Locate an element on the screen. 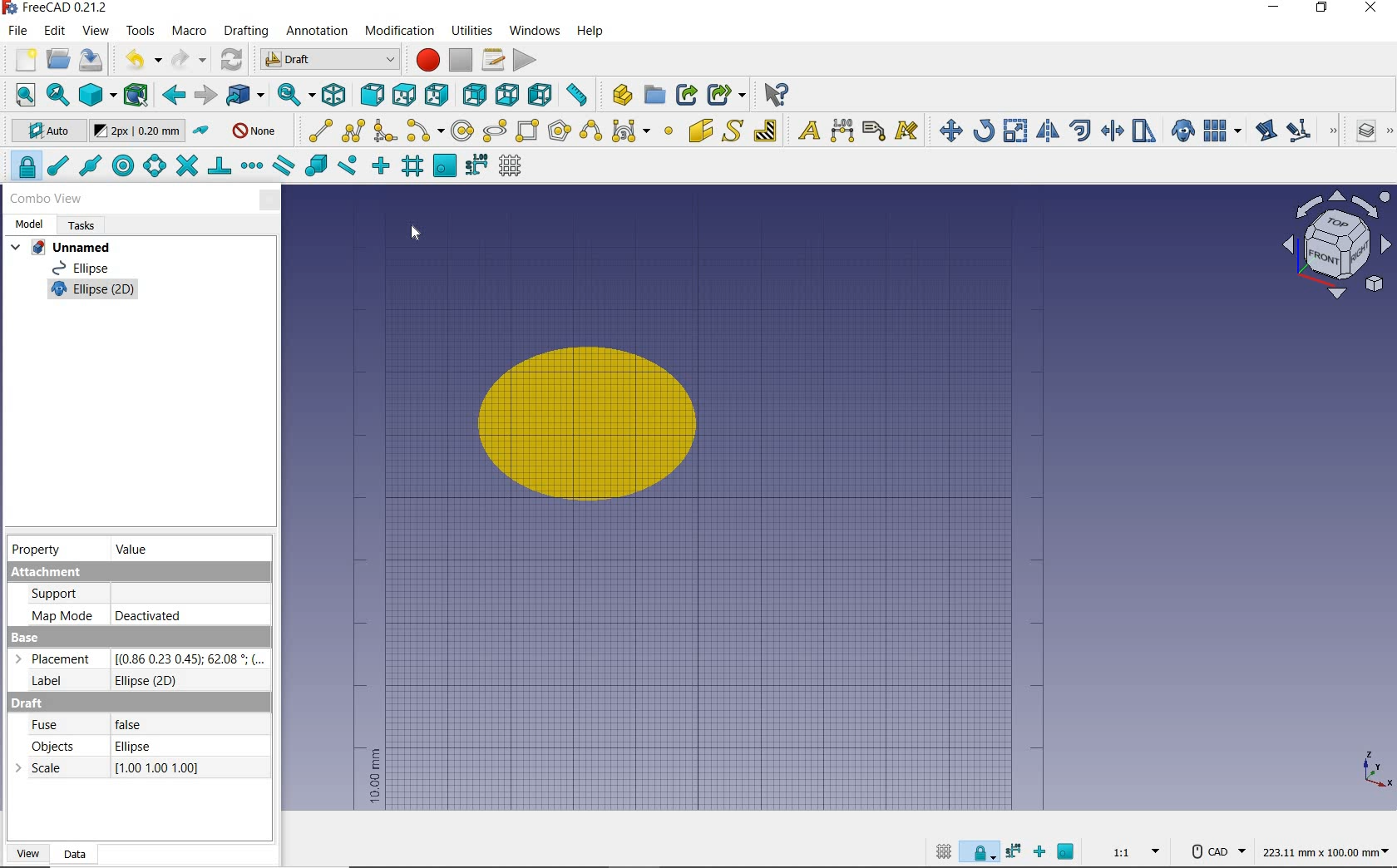 This screenshot has width=1397, height=868. macro recording is located at coordinates (423, 61).